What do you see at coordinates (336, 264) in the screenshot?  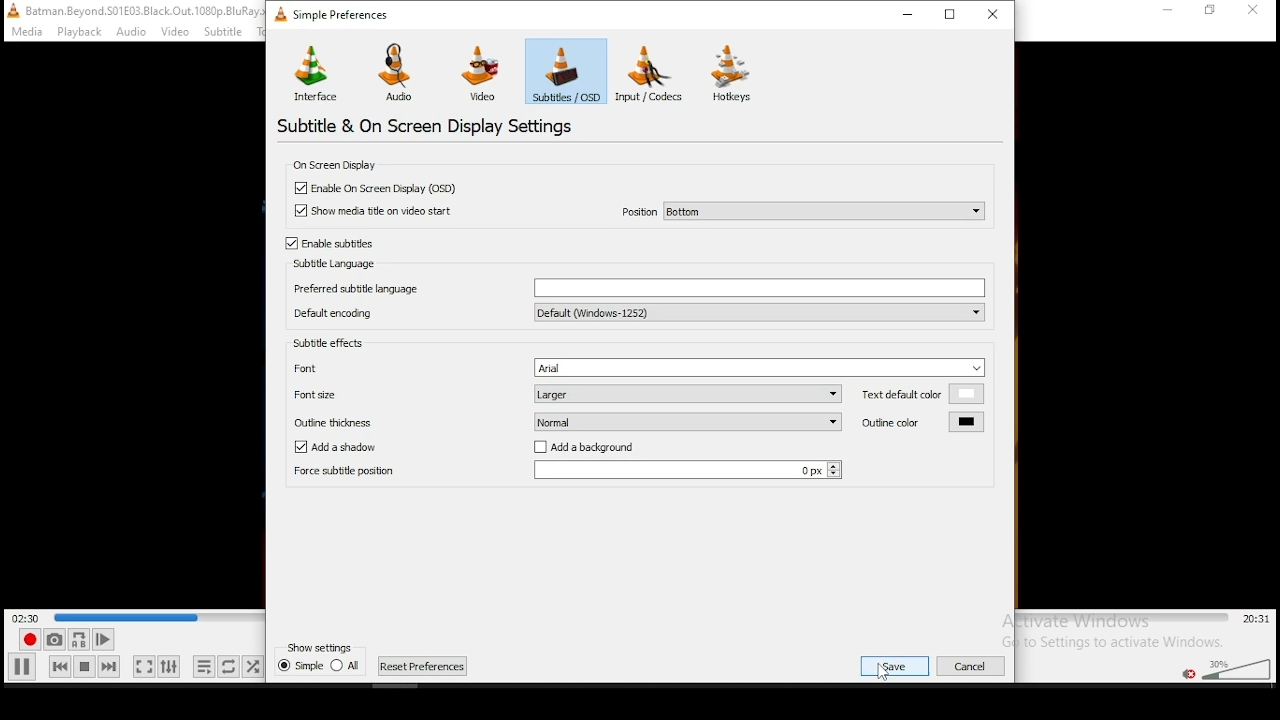 I see `subtitle language` at bounding box center [336, 264].